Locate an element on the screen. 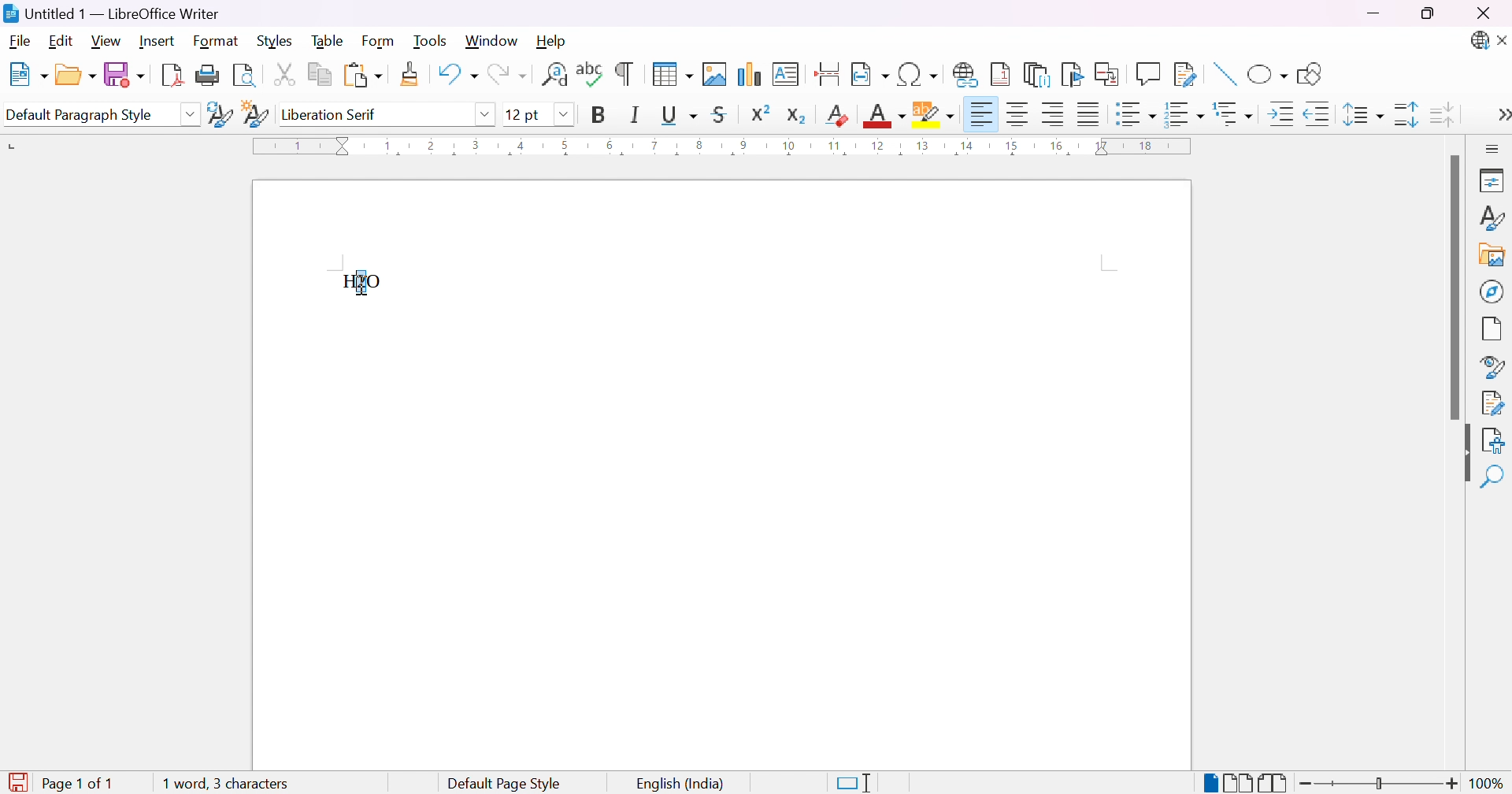  Strikethrough is located at coordinates (723, 114).